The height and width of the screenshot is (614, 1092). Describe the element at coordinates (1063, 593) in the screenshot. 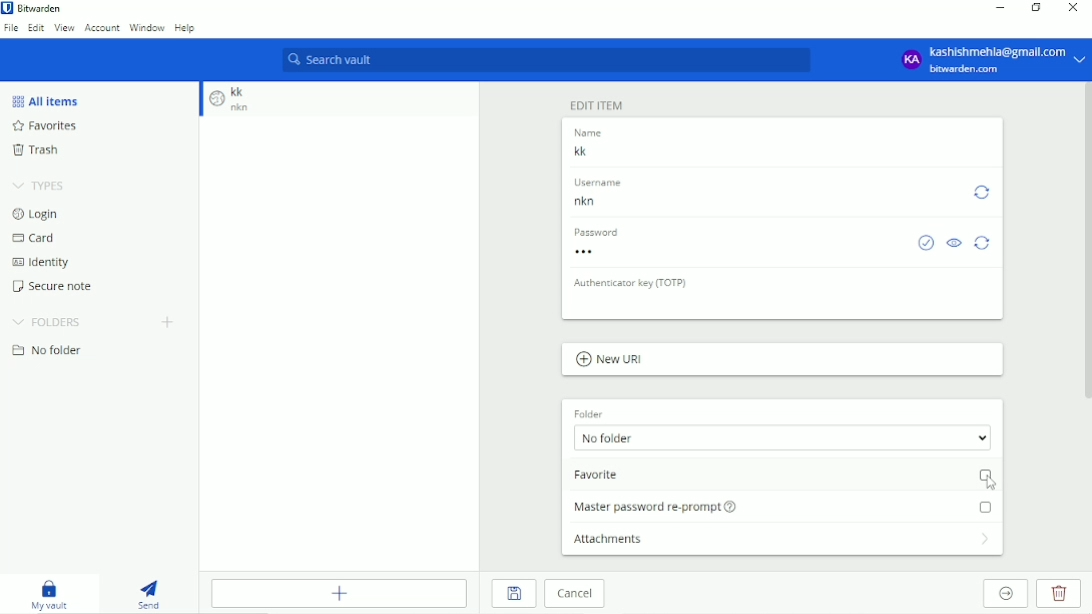

I see `Delete` at that location.